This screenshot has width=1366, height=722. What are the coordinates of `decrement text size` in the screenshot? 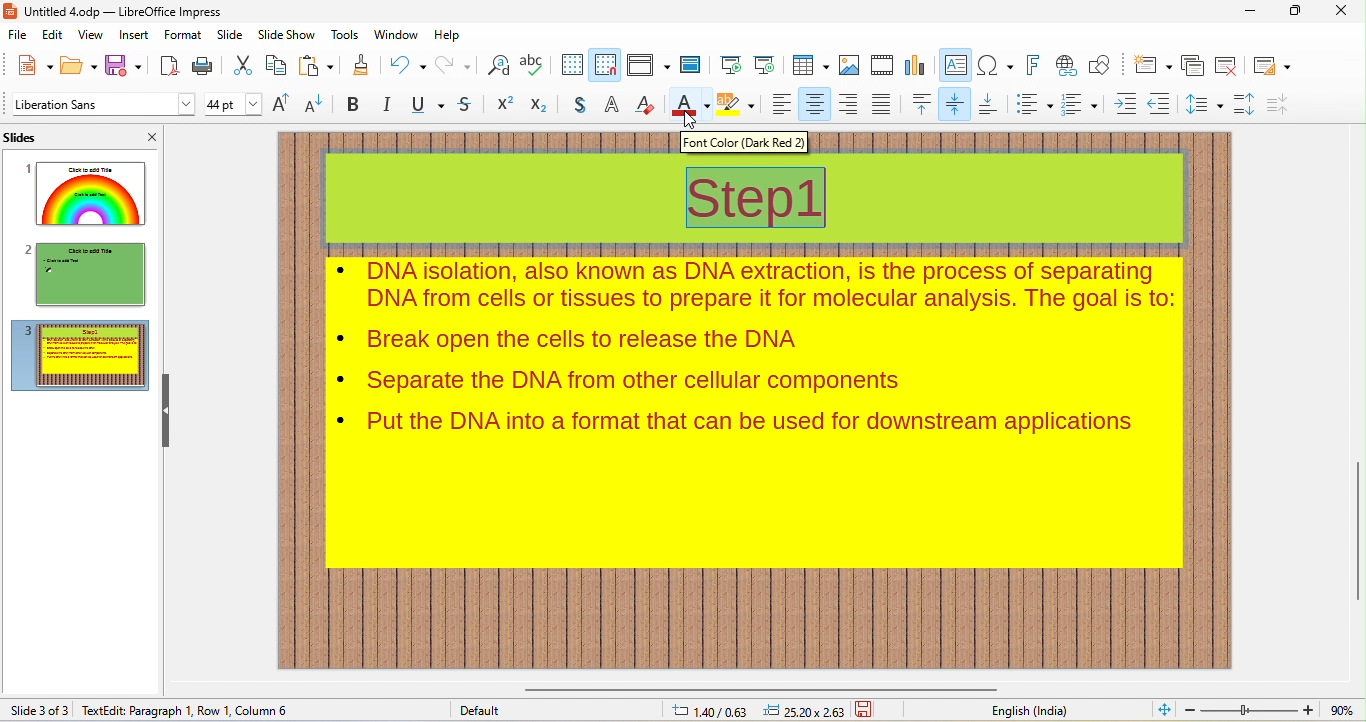 It's located at (314, 105).